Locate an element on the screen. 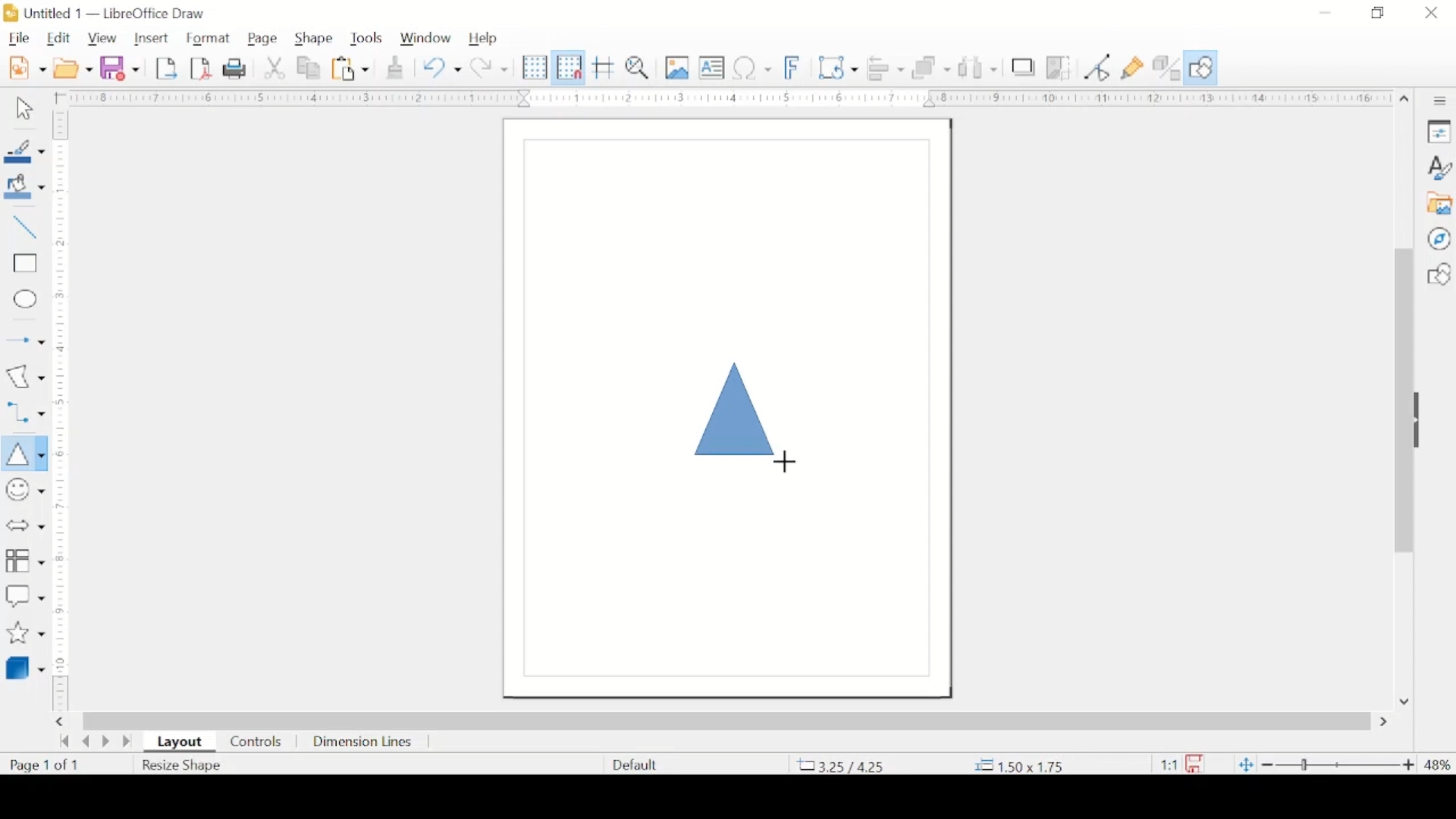  shape is located at coordinates (312, 36).